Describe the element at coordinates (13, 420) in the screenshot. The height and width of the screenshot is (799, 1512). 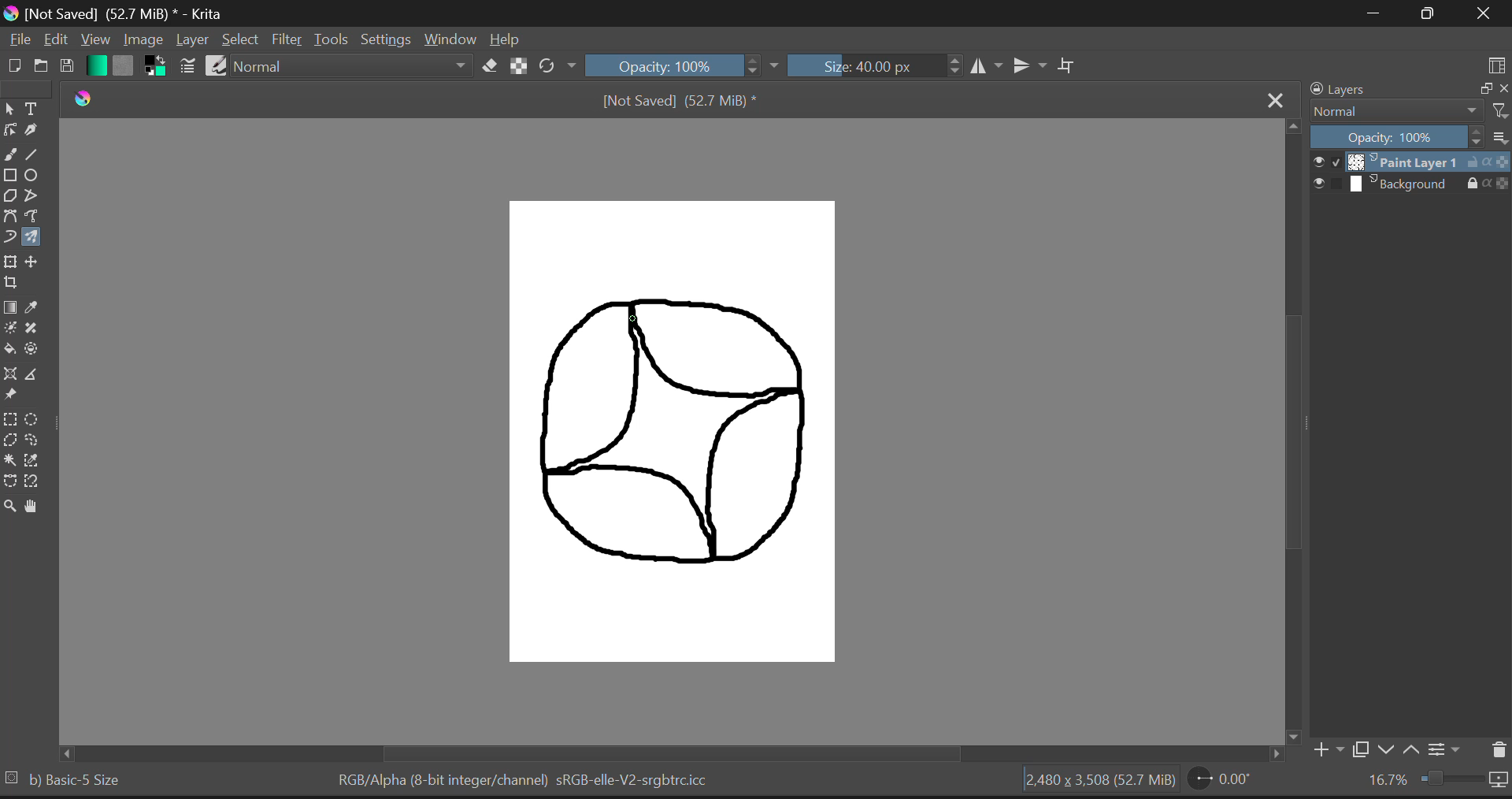
I see `Rectangular Selection` at that location.